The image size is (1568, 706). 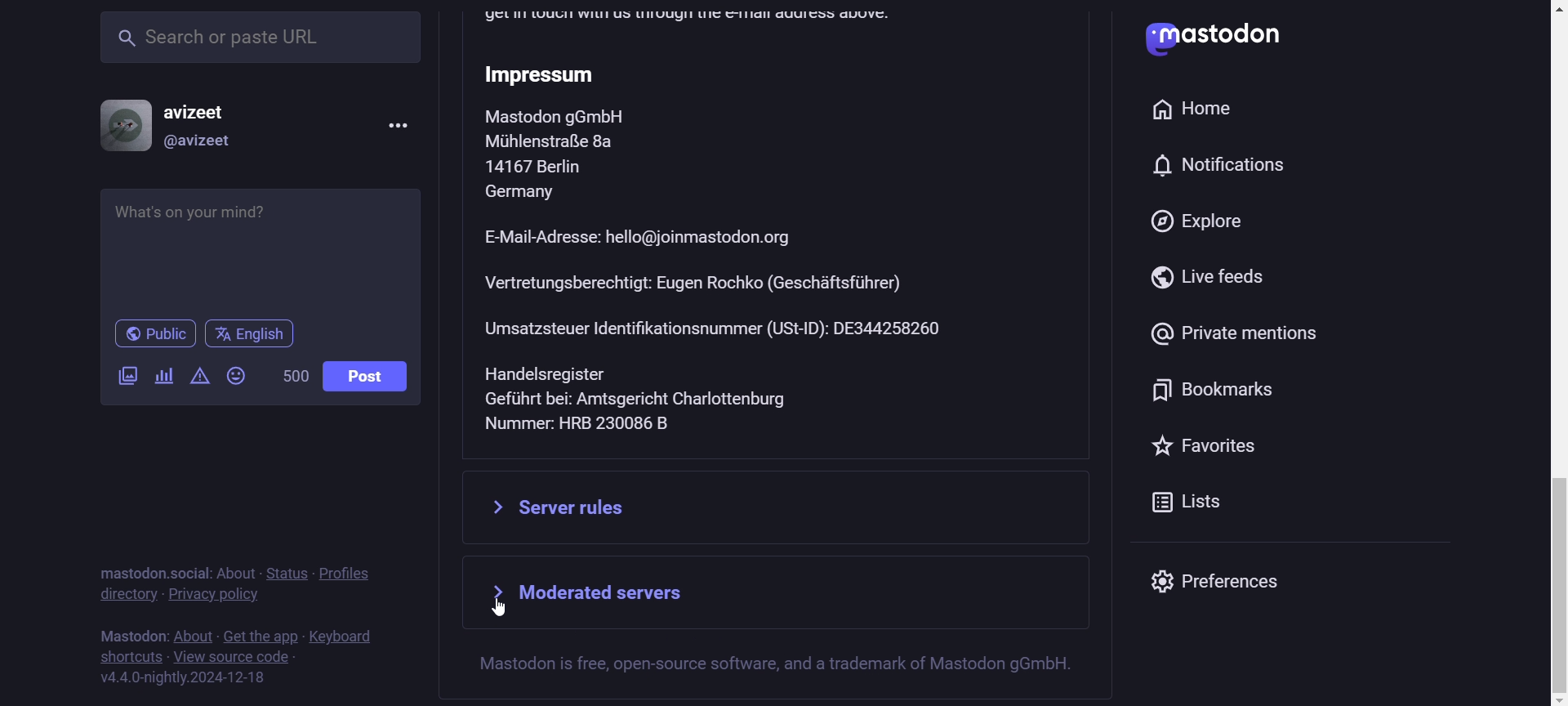 What do you see at coordinates (1205, 393) in the screenshot?
I see `bookmarks` at bounding box center [1205, 393].